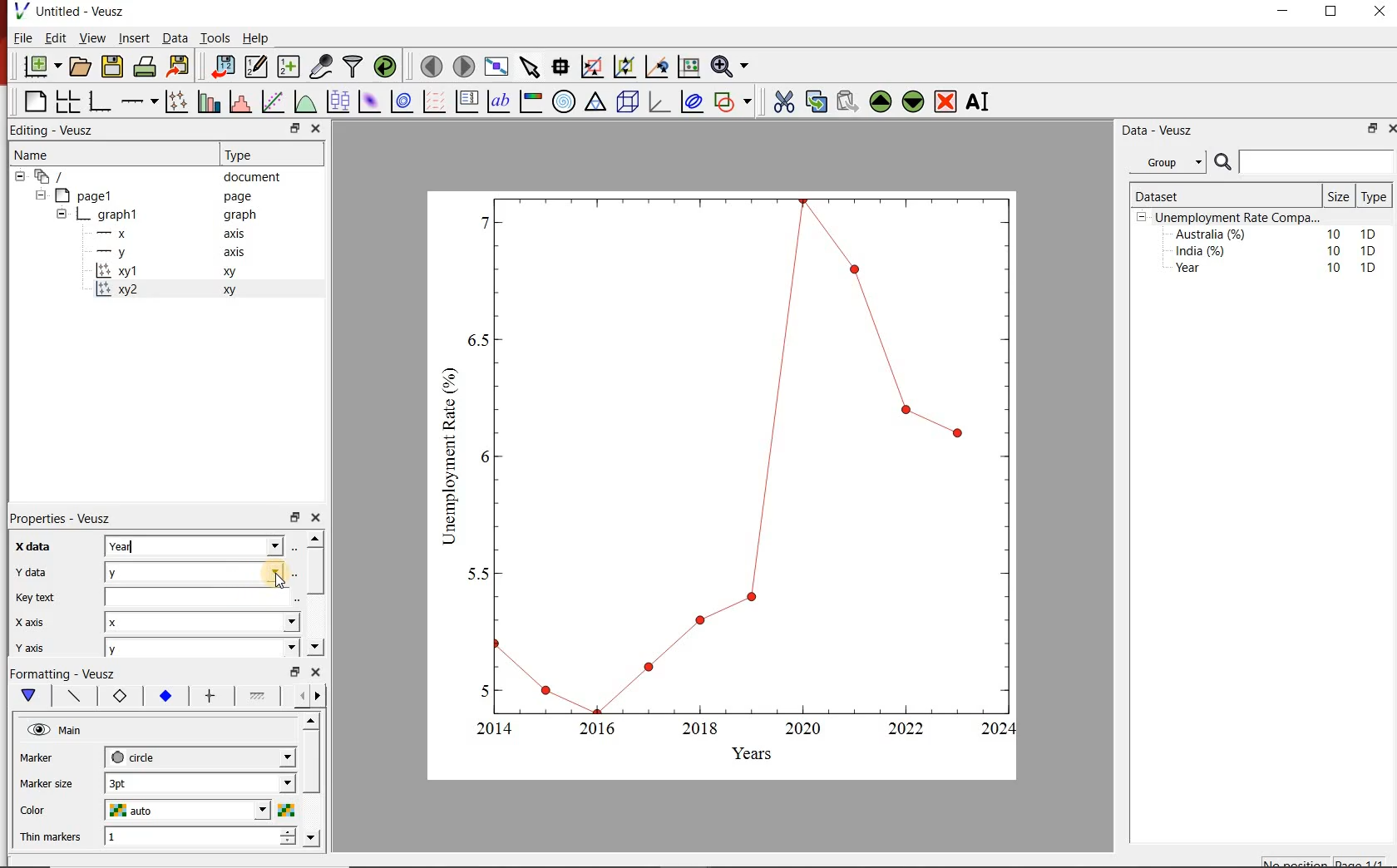  I want to click on Year 10 1D, so click(1281, 269).